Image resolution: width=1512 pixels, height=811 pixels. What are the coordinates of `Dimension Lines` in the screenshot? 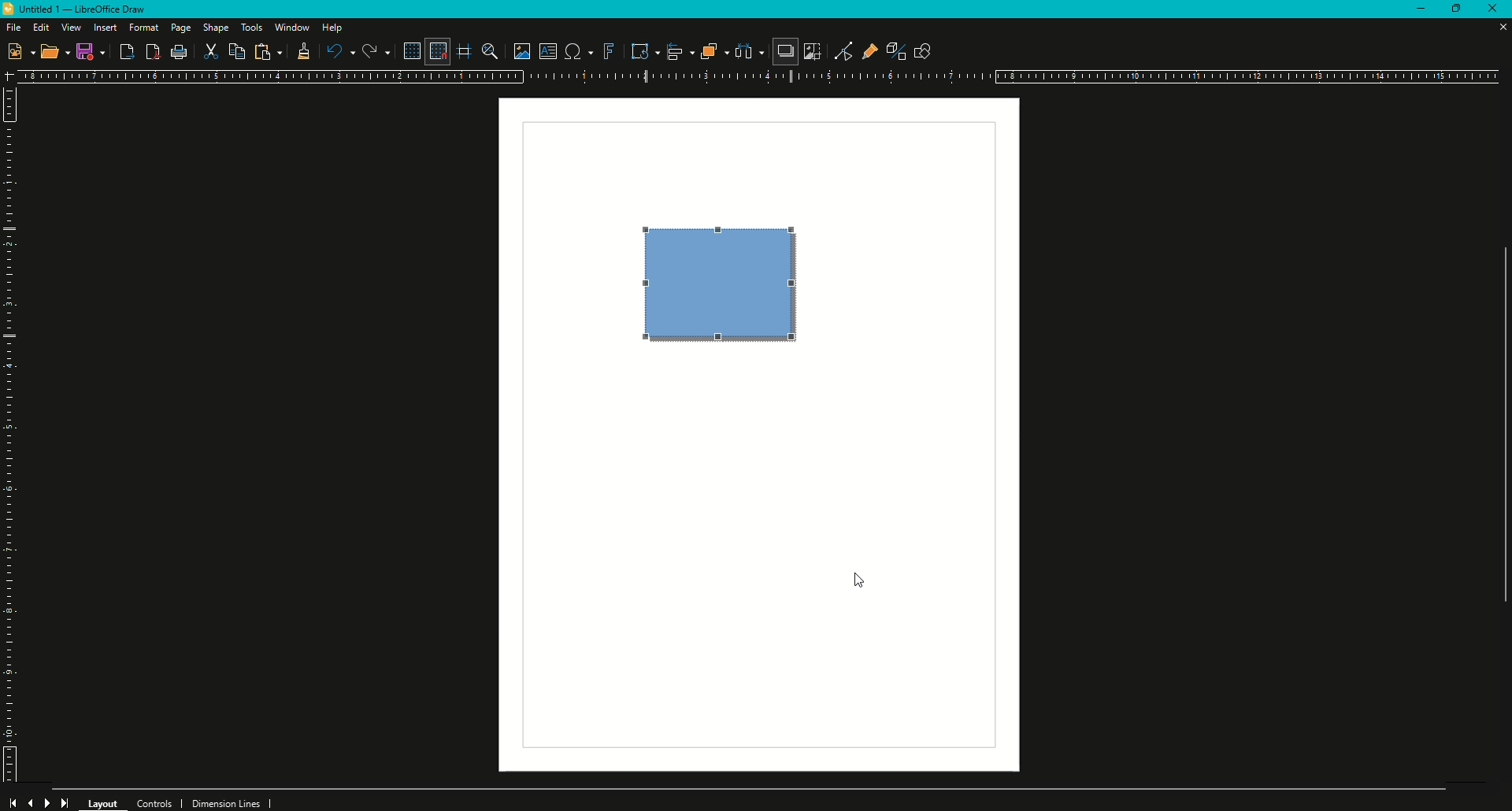 It's located at (232, 802).